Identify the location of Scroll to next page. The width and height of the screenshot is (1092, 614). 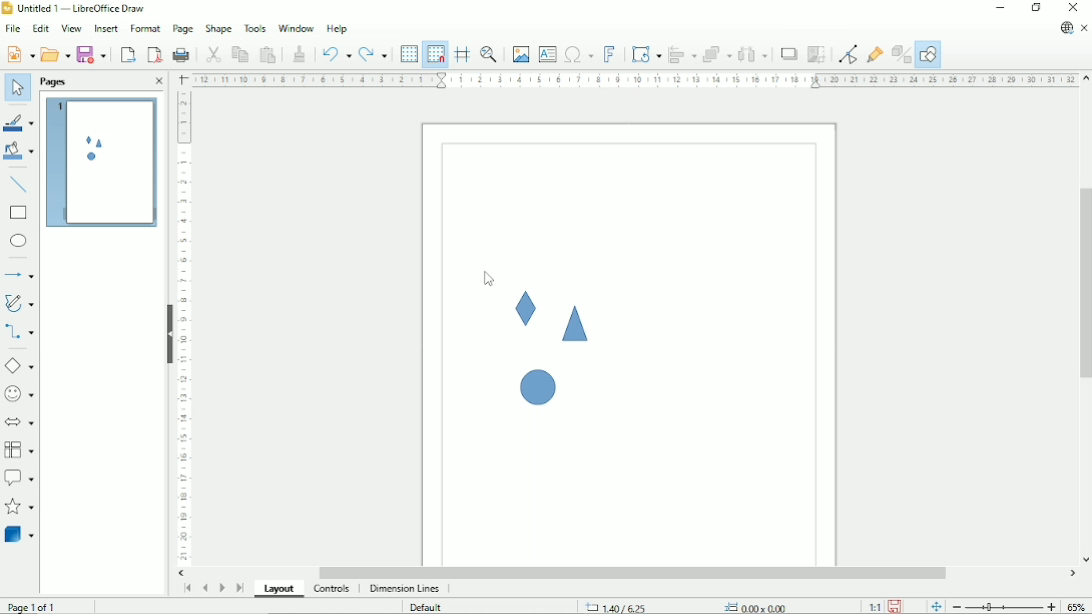
(221, 587).